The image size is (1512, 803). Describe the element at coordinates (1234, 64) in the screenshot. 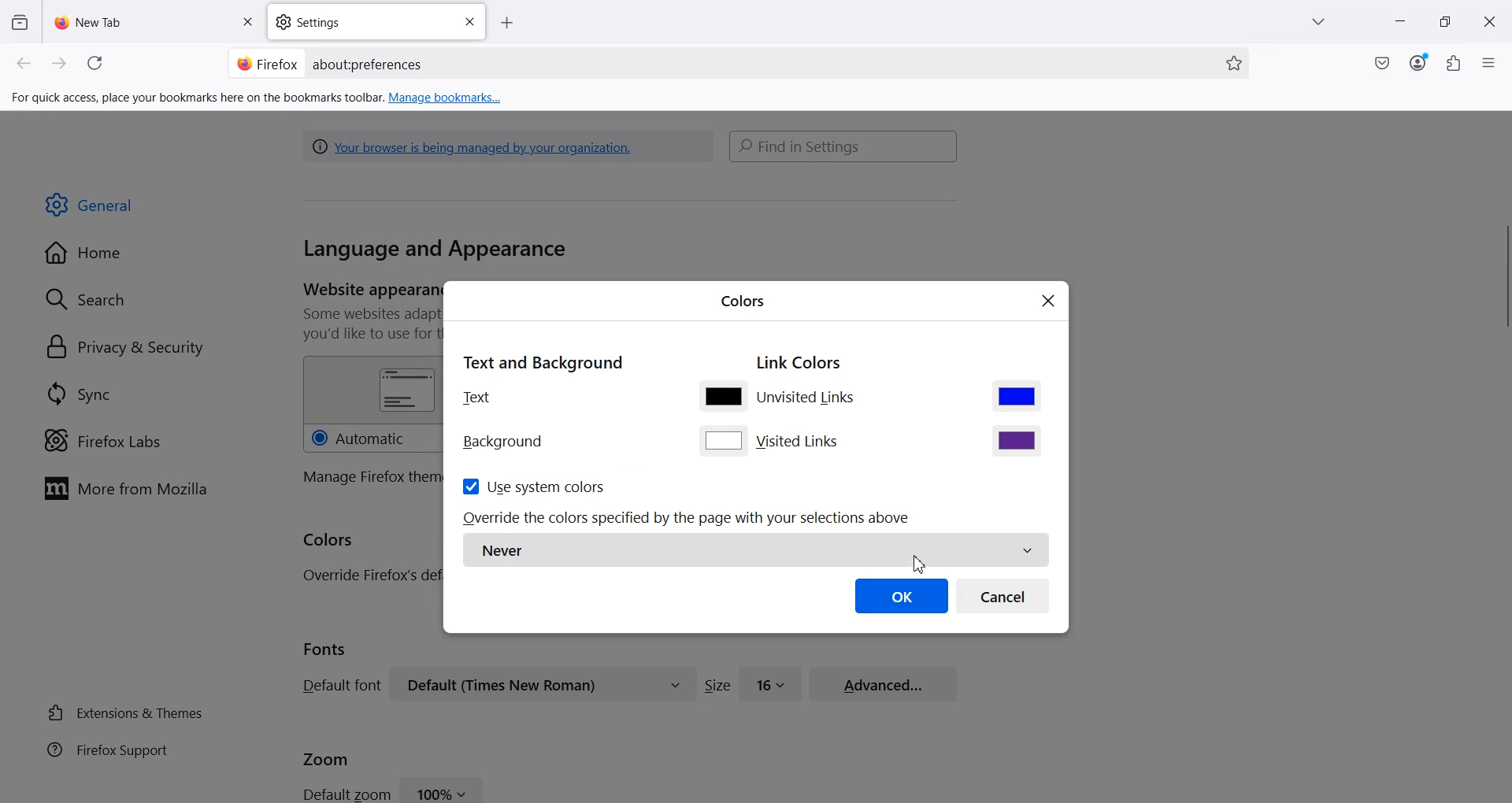

I see `Starred` at that location.